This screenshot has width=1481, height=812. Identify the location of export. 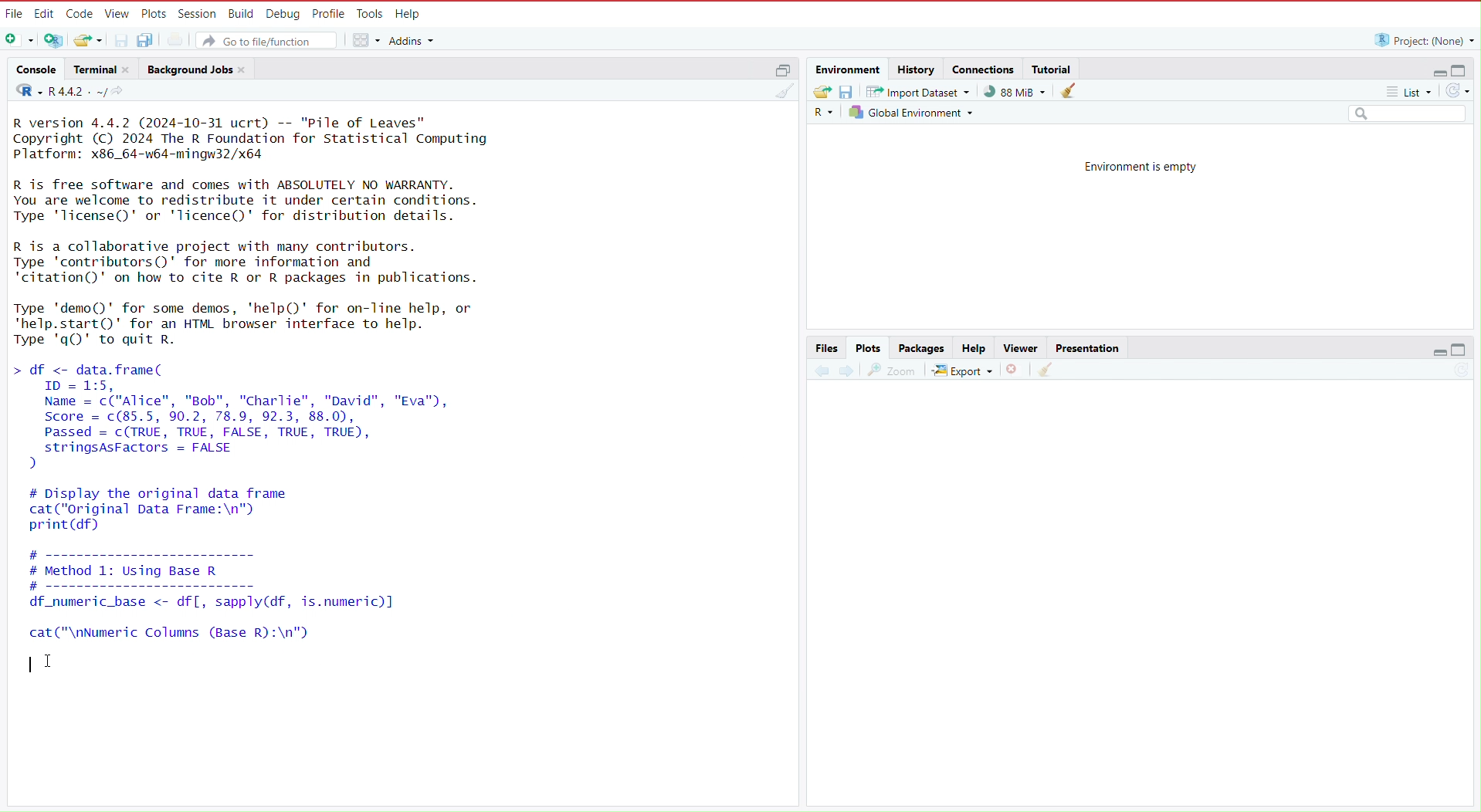
(963, 370).